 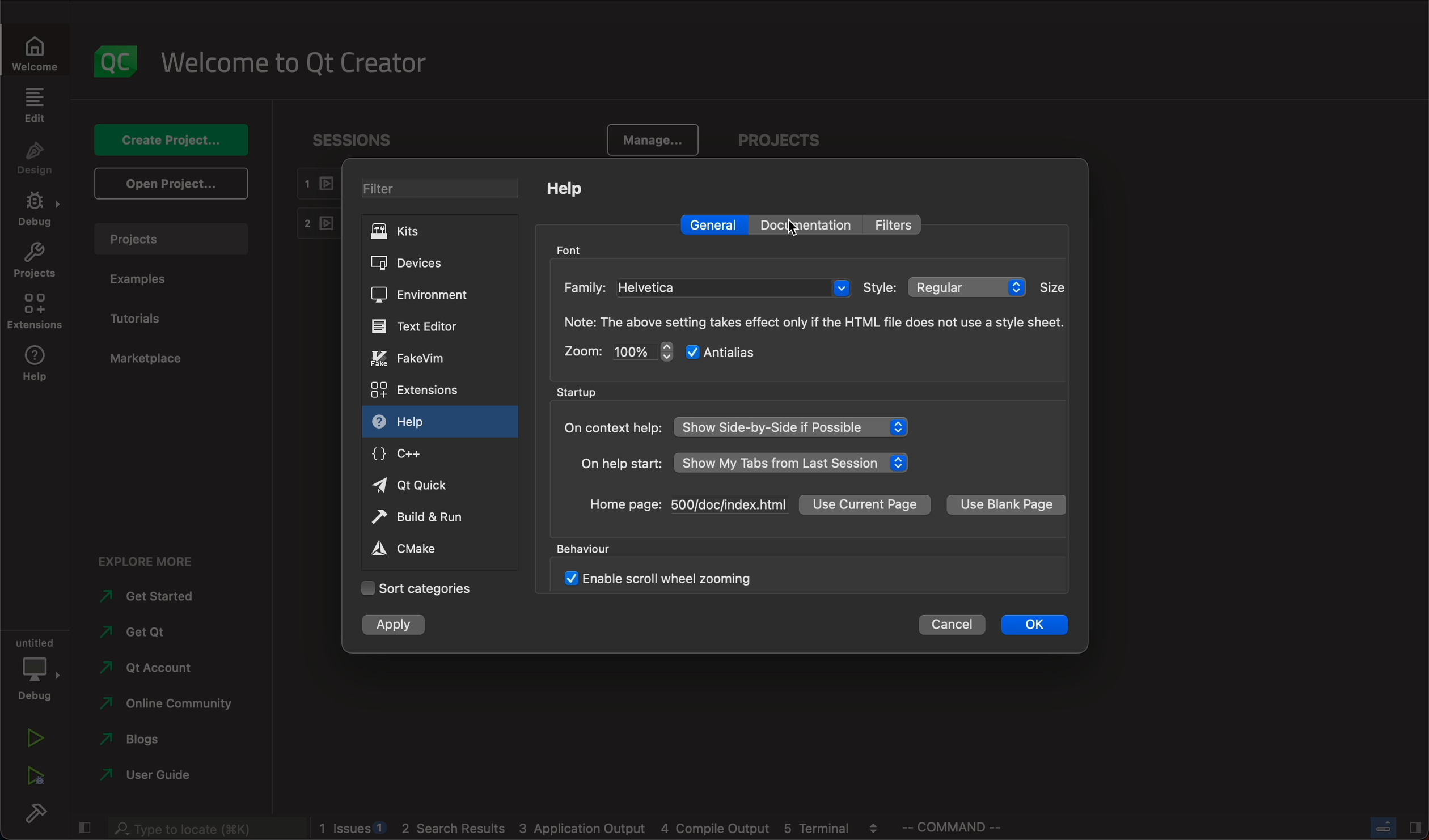 What do you see at coordinates (407, 457) in the screenshot?
I see `c++` at bounding box center [407, 457].